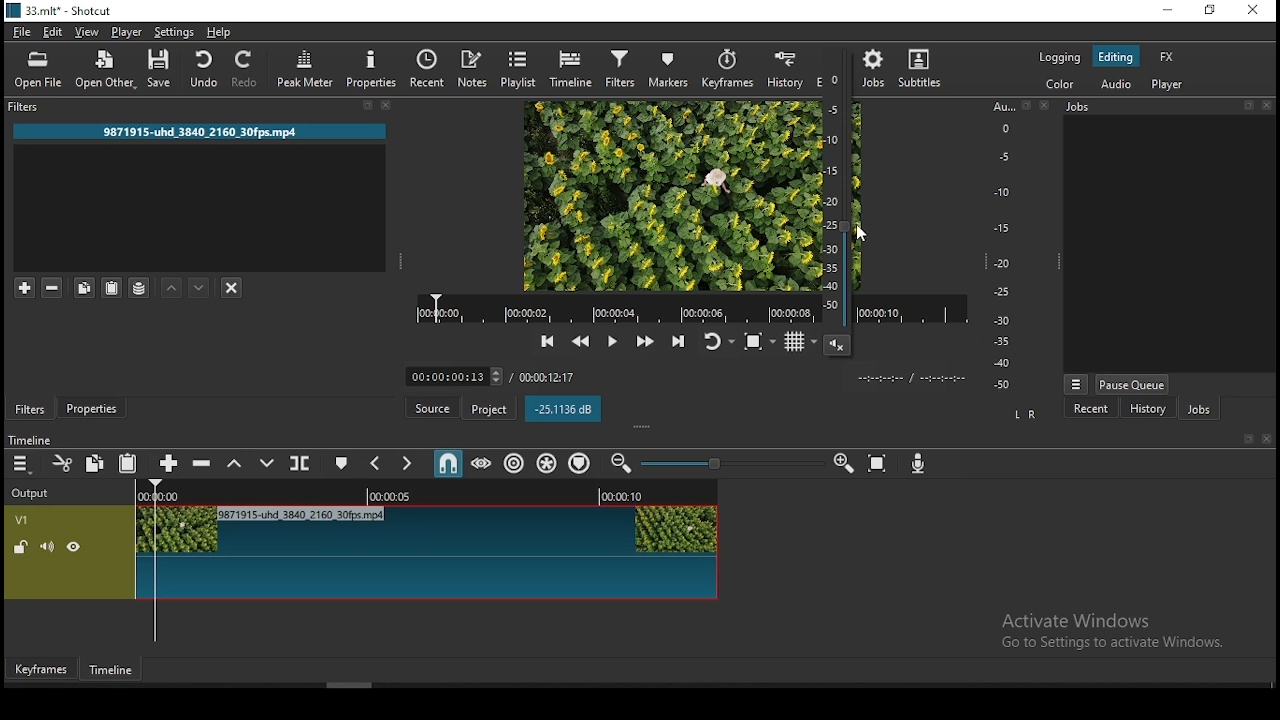 The width and height of the screenshot is (1280, 720). What do you see at coordinates (23, 464) in the screenshot?
I see `menu` at bounding box center [23, 464].